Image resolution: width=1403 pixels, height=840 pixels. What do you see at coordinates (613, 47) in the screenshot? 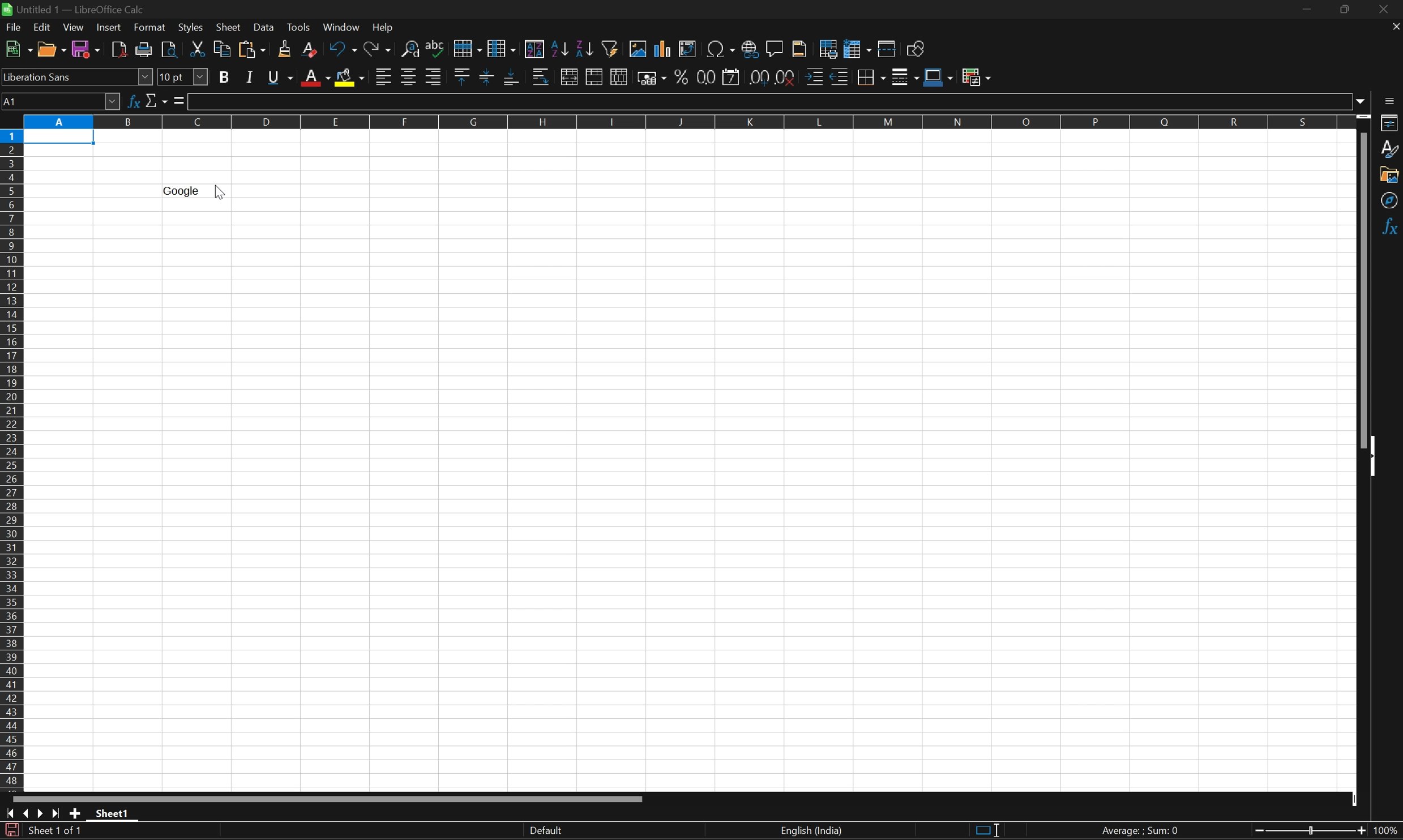
I see `Auto filter` at bounding box center [613, 47].